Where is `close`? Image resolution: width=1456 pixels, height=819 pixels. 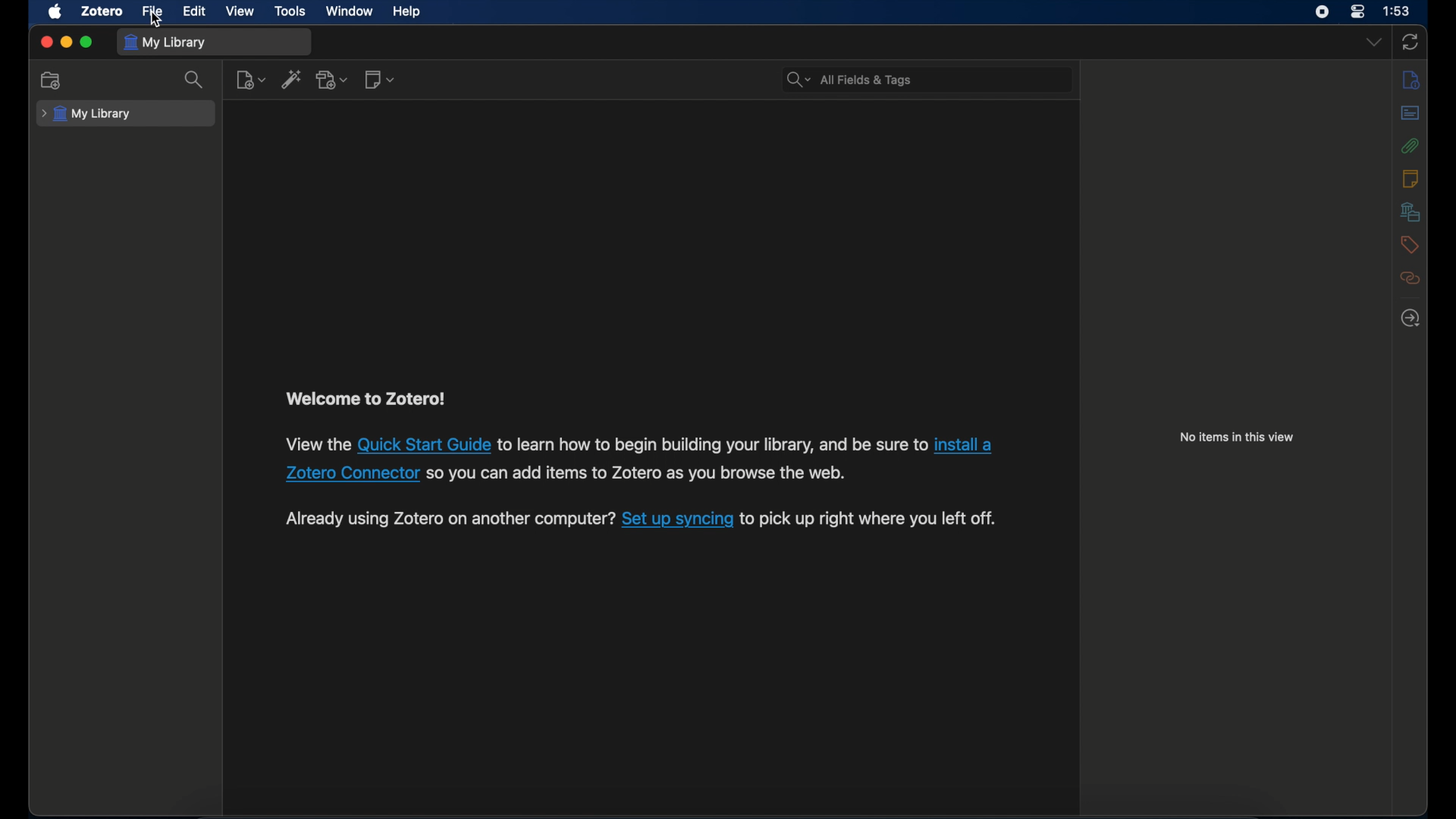 close is located at coordinates (45, 42).